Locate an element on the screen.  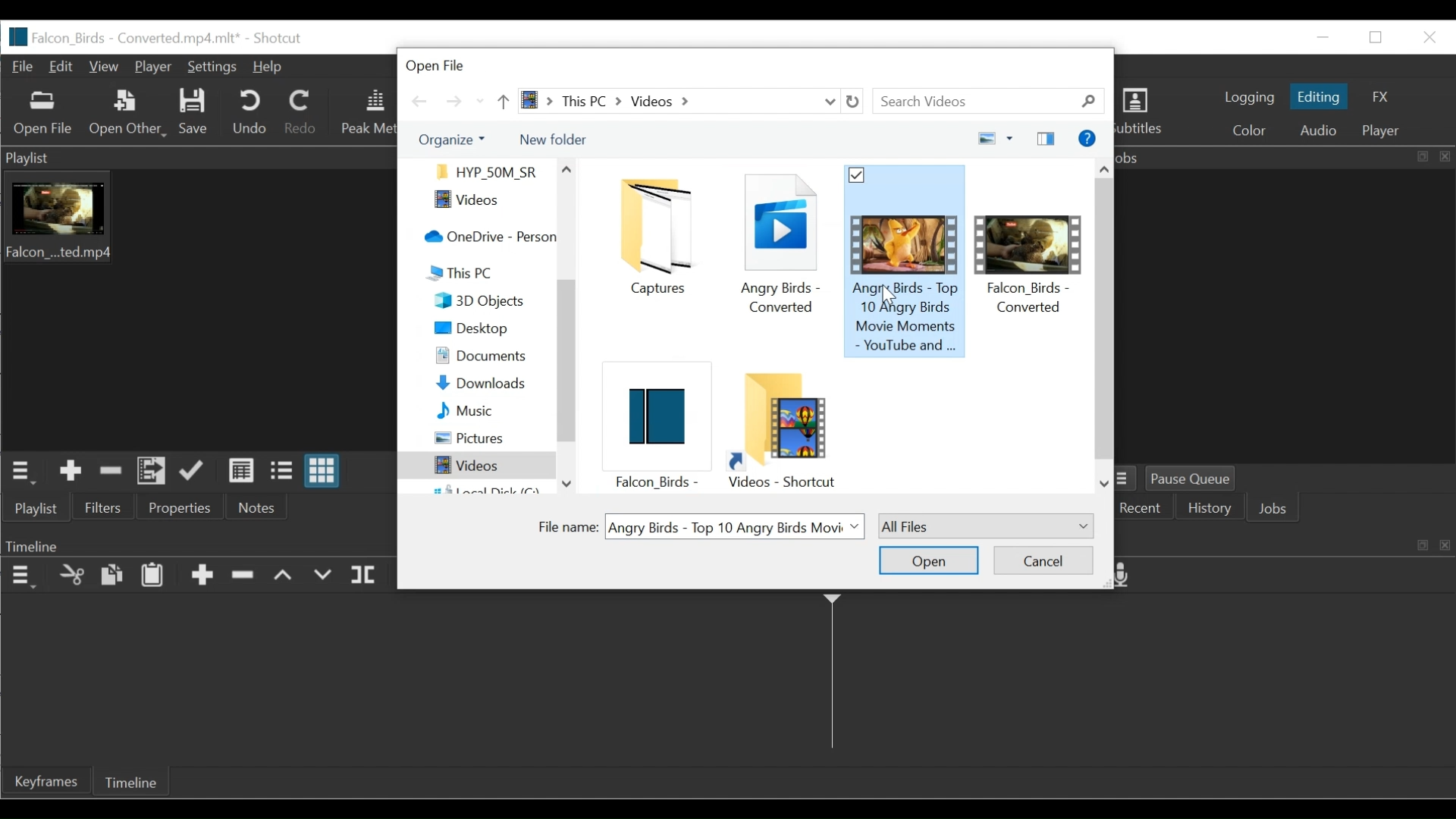
Close is located at coordinates (1426, 36).